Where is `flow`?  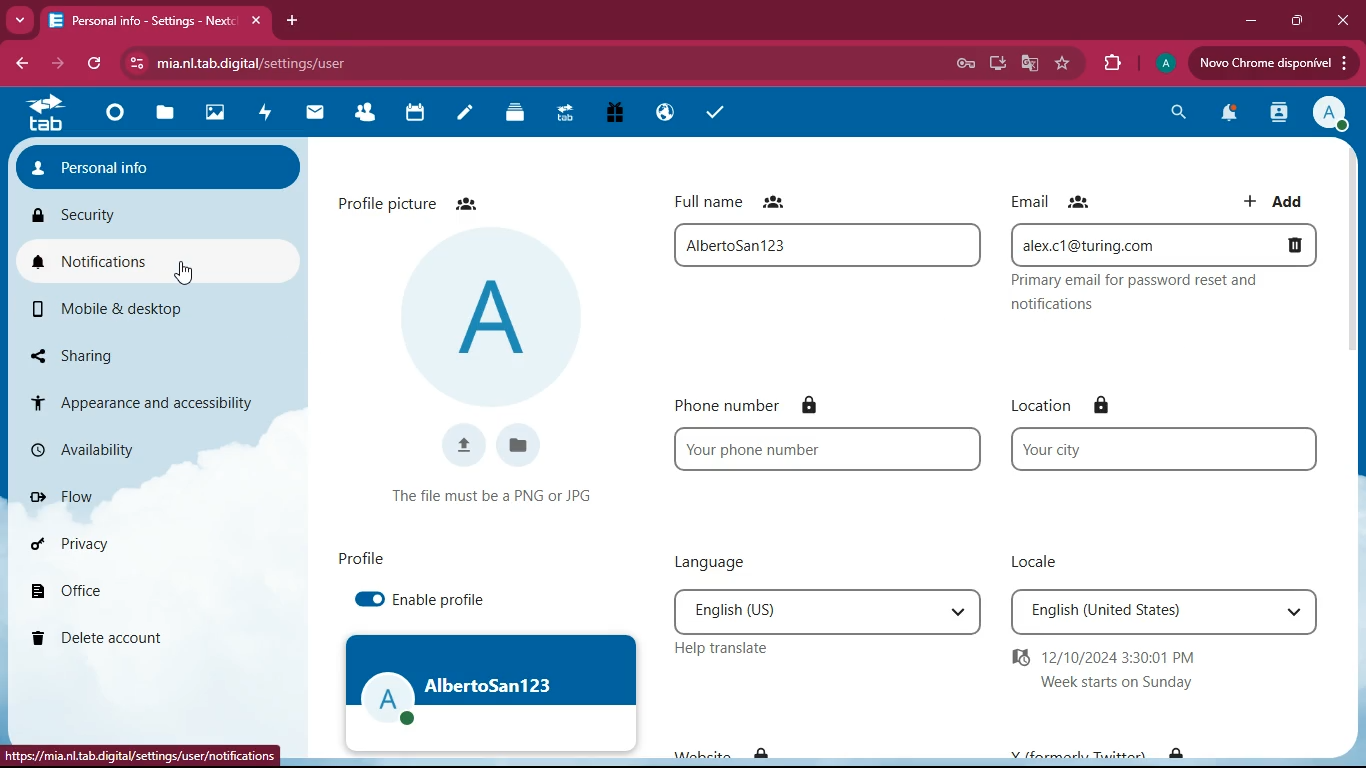 flow is located at coordinates (65, 493).